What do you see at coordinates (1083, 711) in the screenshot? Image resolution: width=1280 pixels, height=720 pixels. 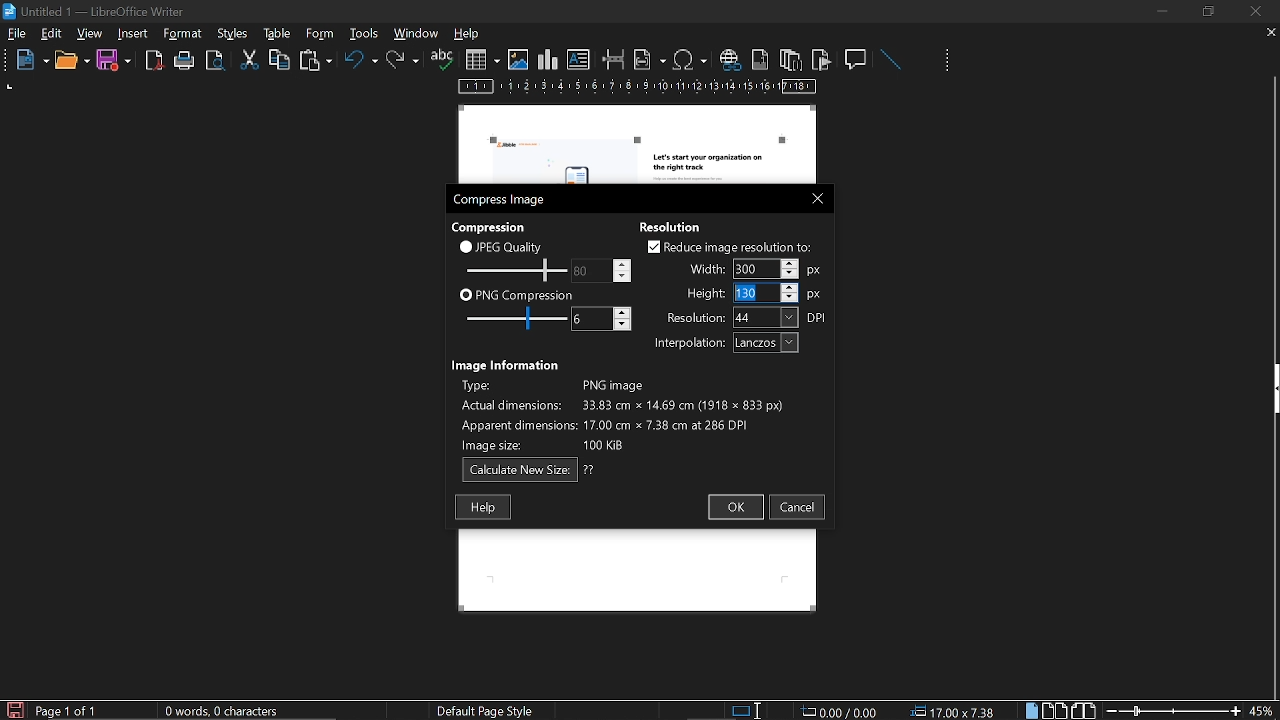 I see `book view` at bounding box center [1083, 711].